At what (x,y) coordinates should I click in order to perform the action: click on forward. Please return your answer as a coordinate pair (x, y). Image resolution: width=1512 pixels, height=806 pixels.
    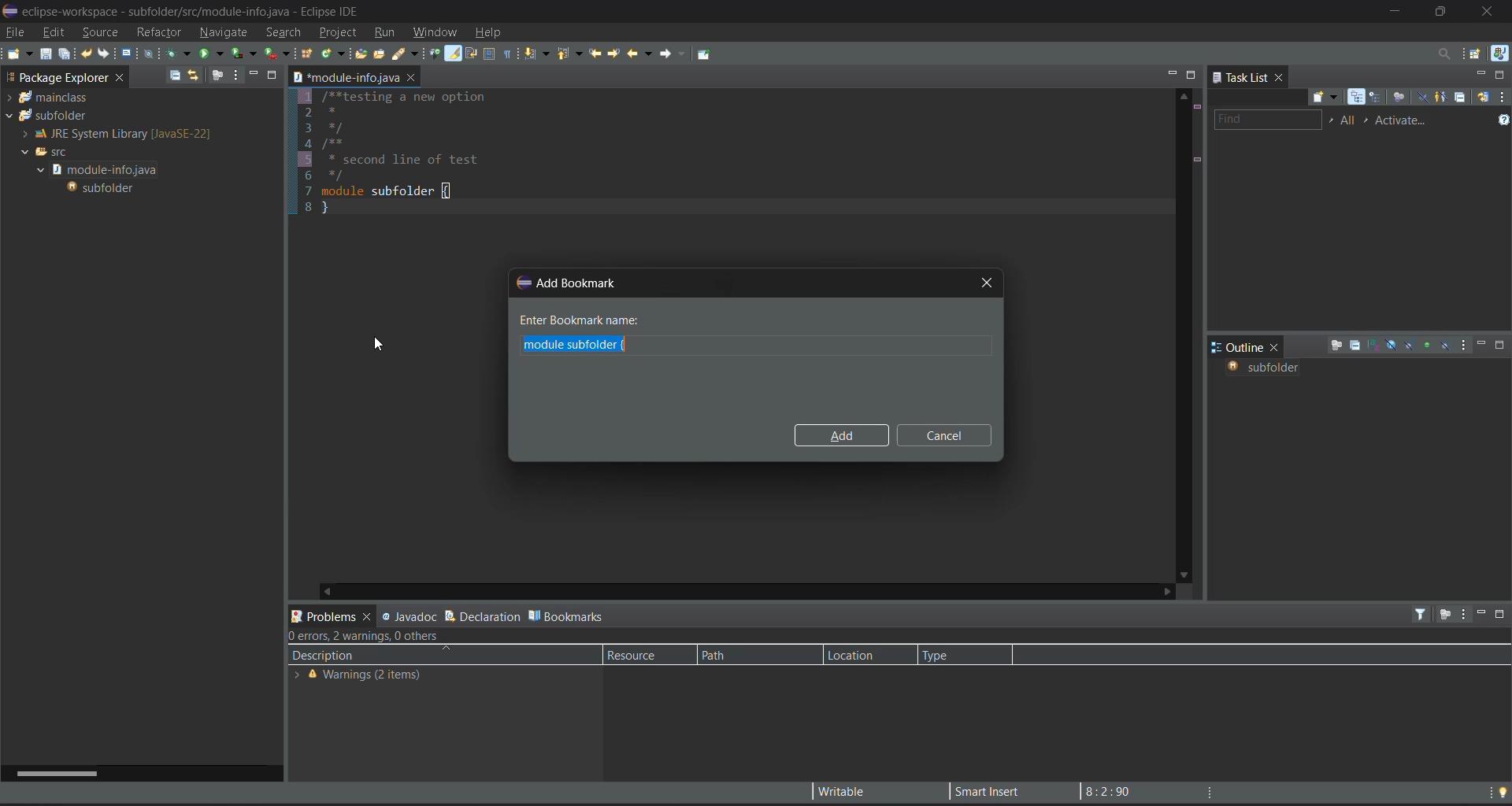
    Looking at the image, I should click on (669, 54).